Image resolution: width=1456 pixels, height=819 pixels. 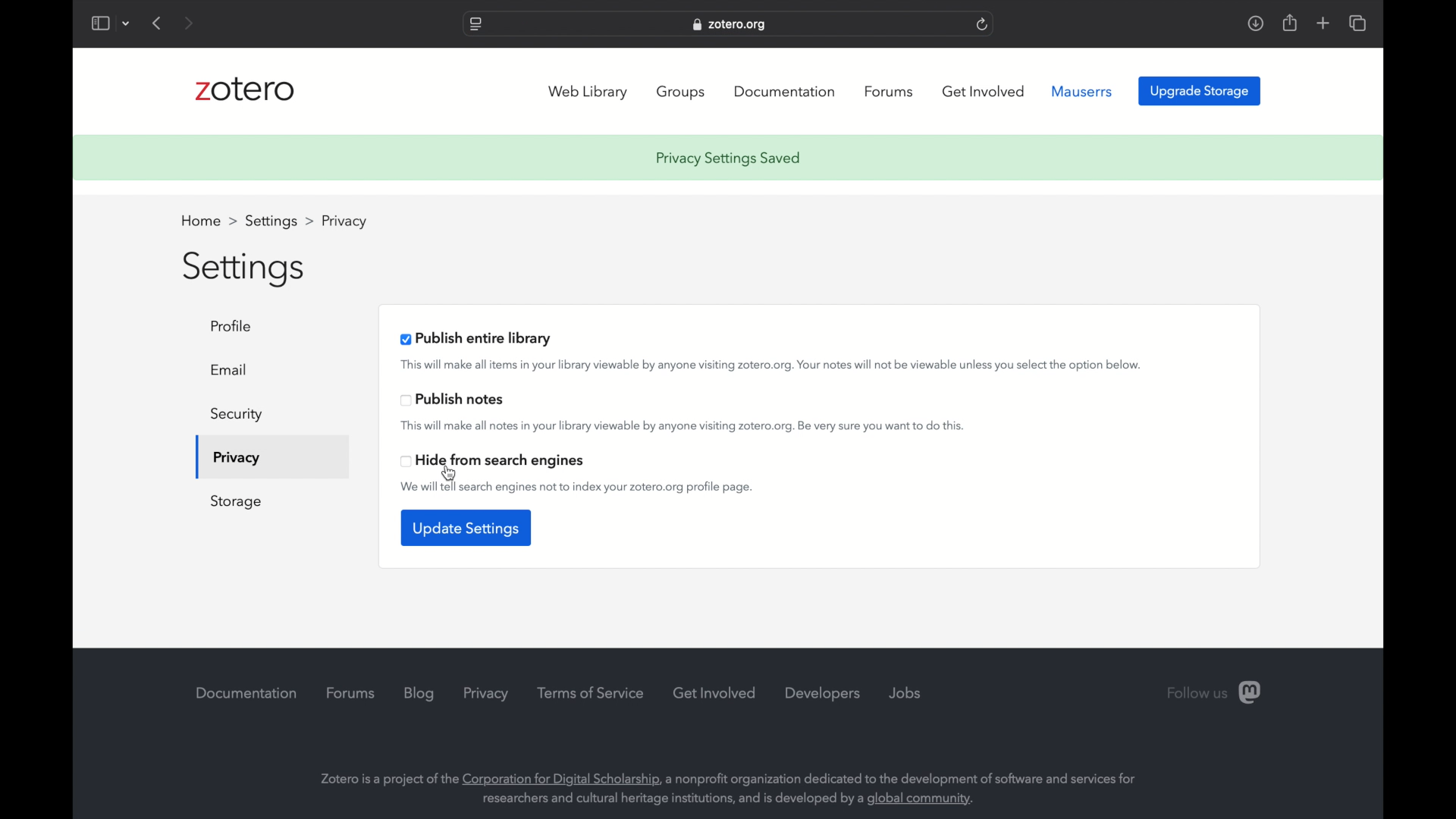 What do you see at coordinates (984, 24) in the screenshot?
I see `refresh` at bounding box center [984, 24].